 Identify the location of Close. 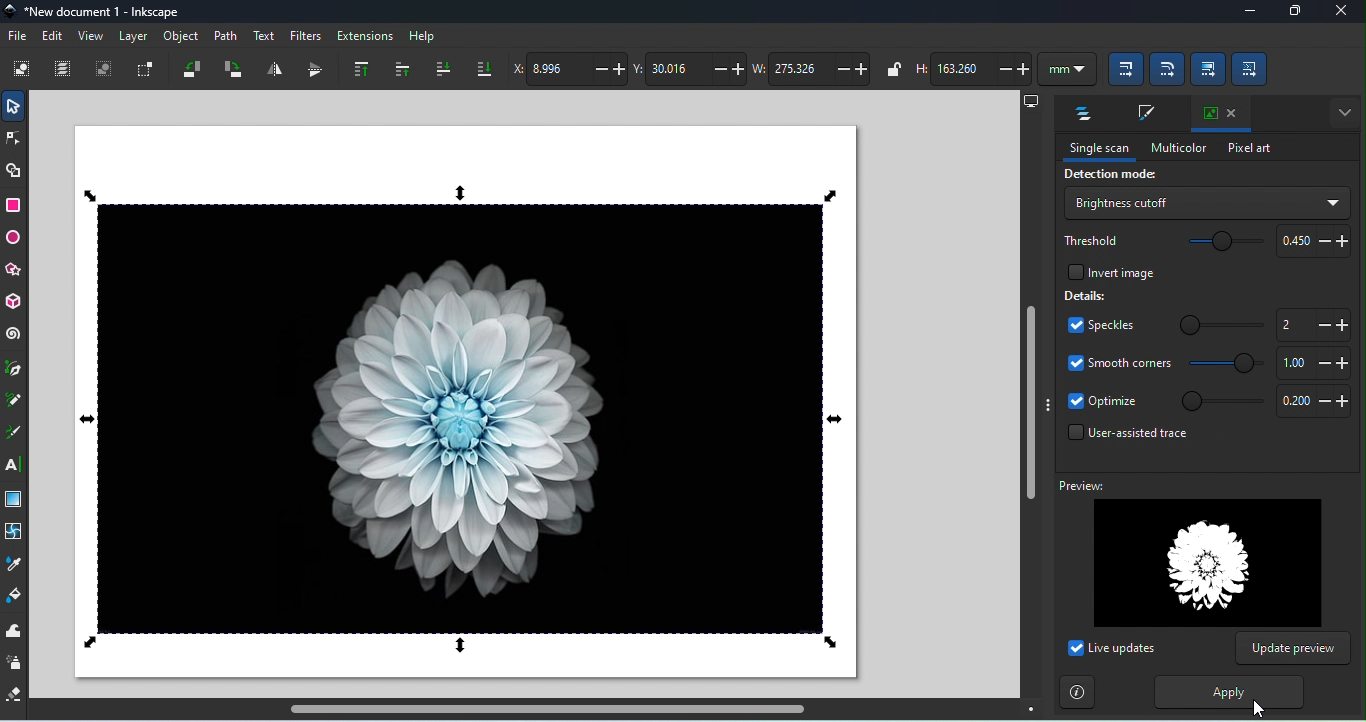
(1342, 12).